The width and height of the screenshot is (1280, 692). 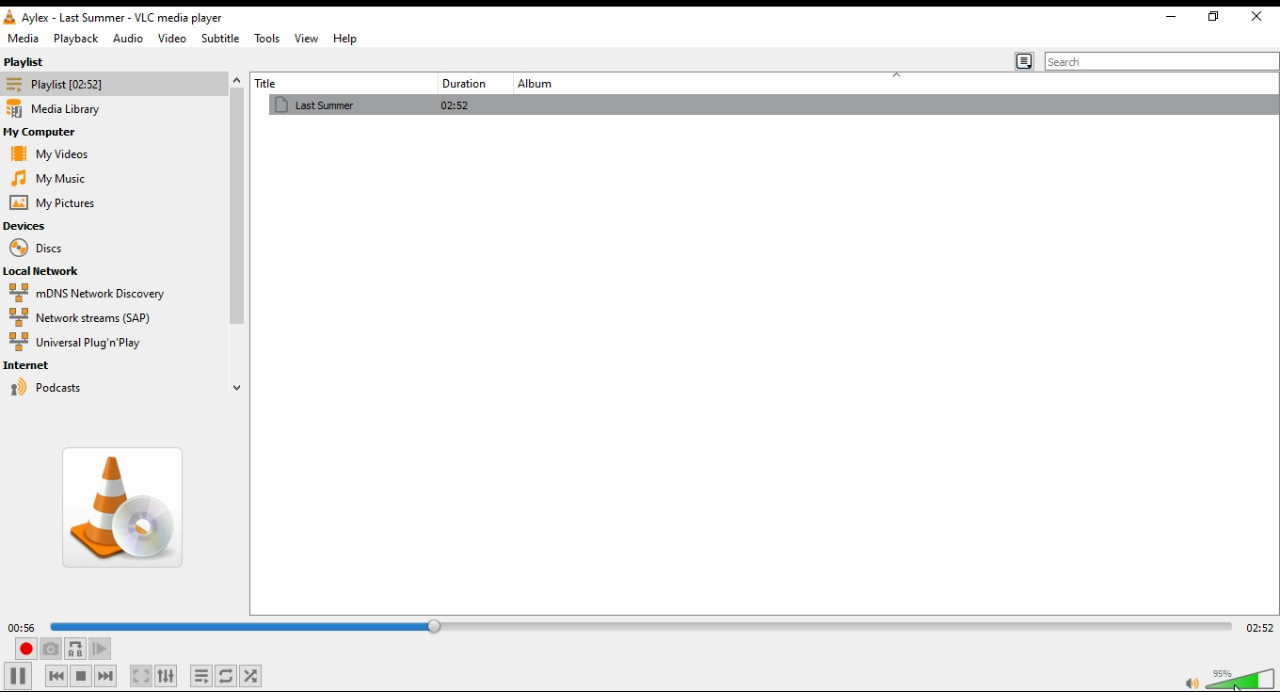 What do you see at coordinates (13, 18) in the screenshot?
I see `vlc icon` at bounding box center [13, 18].